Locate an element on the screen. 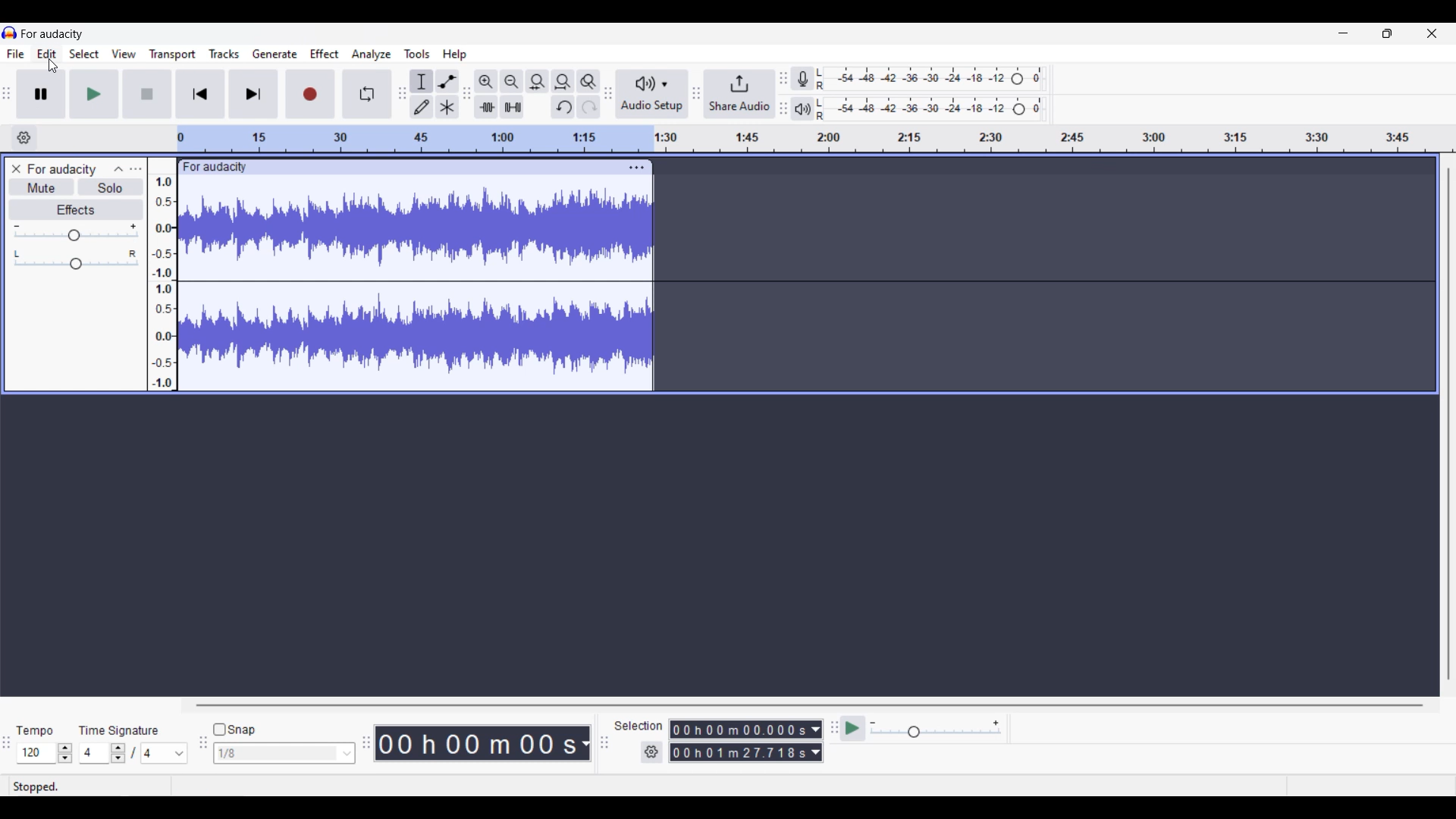 The image size is (1456, 819). selection is located at coordinates (639, 726).